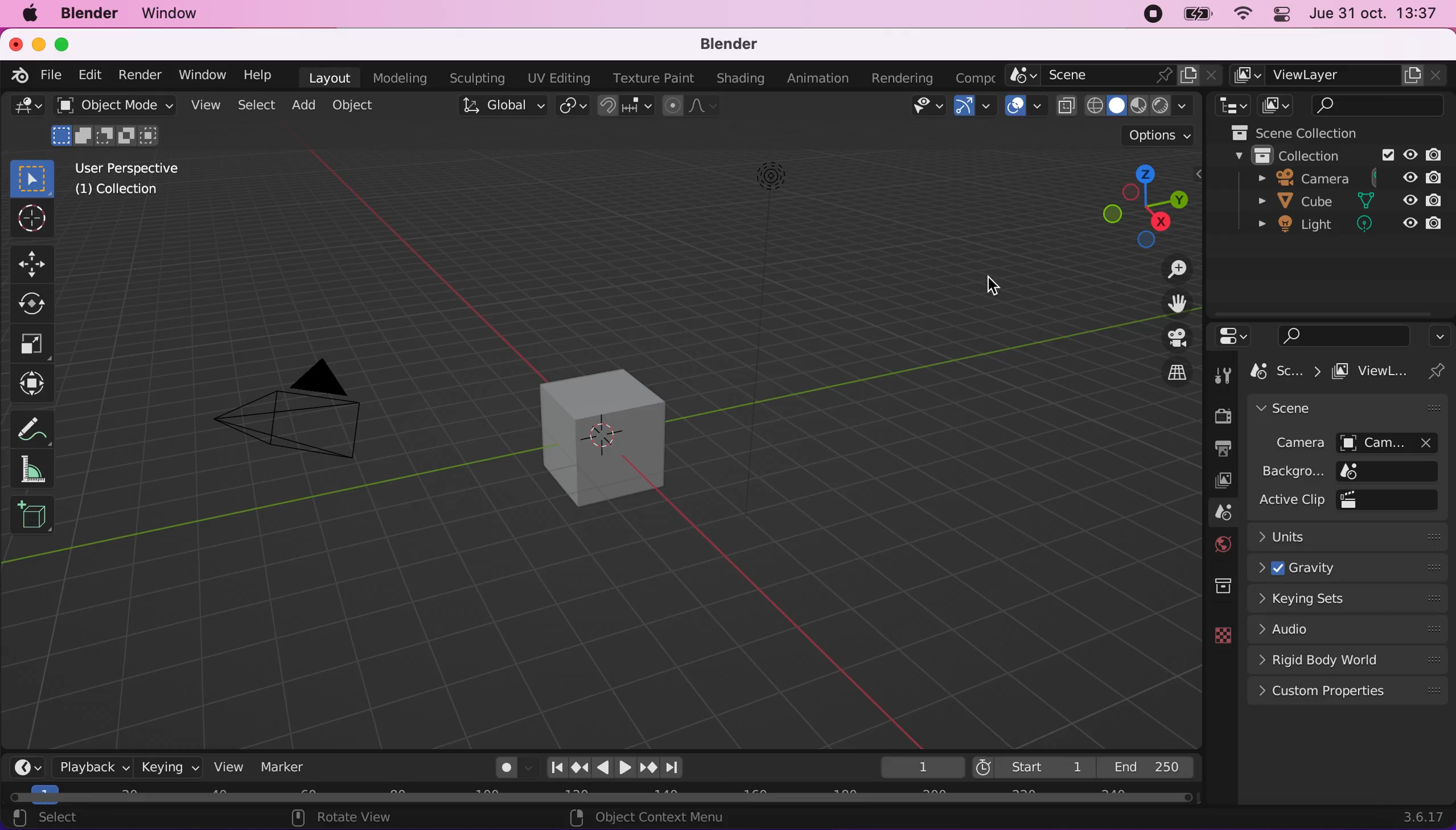  Describe the element at coordinates (91, 767) in the screenshot. I see `playback` at that location.